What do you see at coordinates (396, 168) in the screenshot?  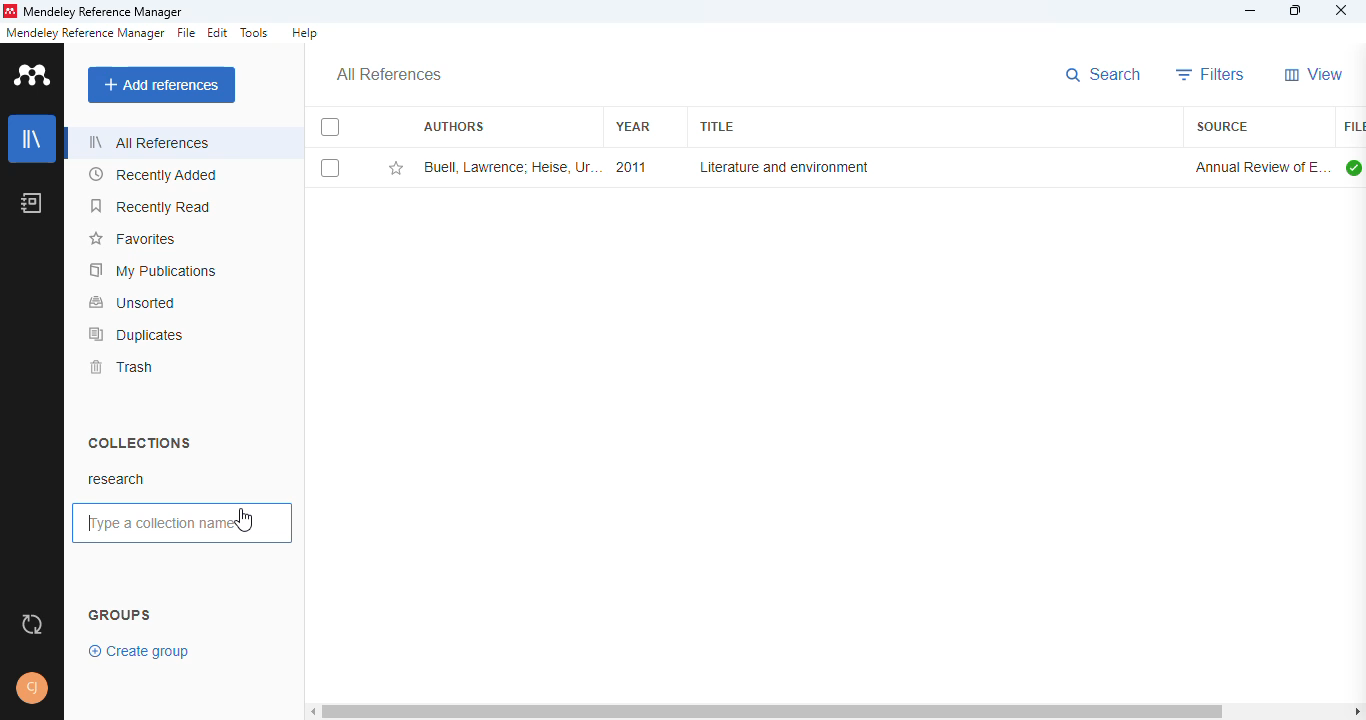 I see `add this reference to favorites` at bounding box center [396, 168].